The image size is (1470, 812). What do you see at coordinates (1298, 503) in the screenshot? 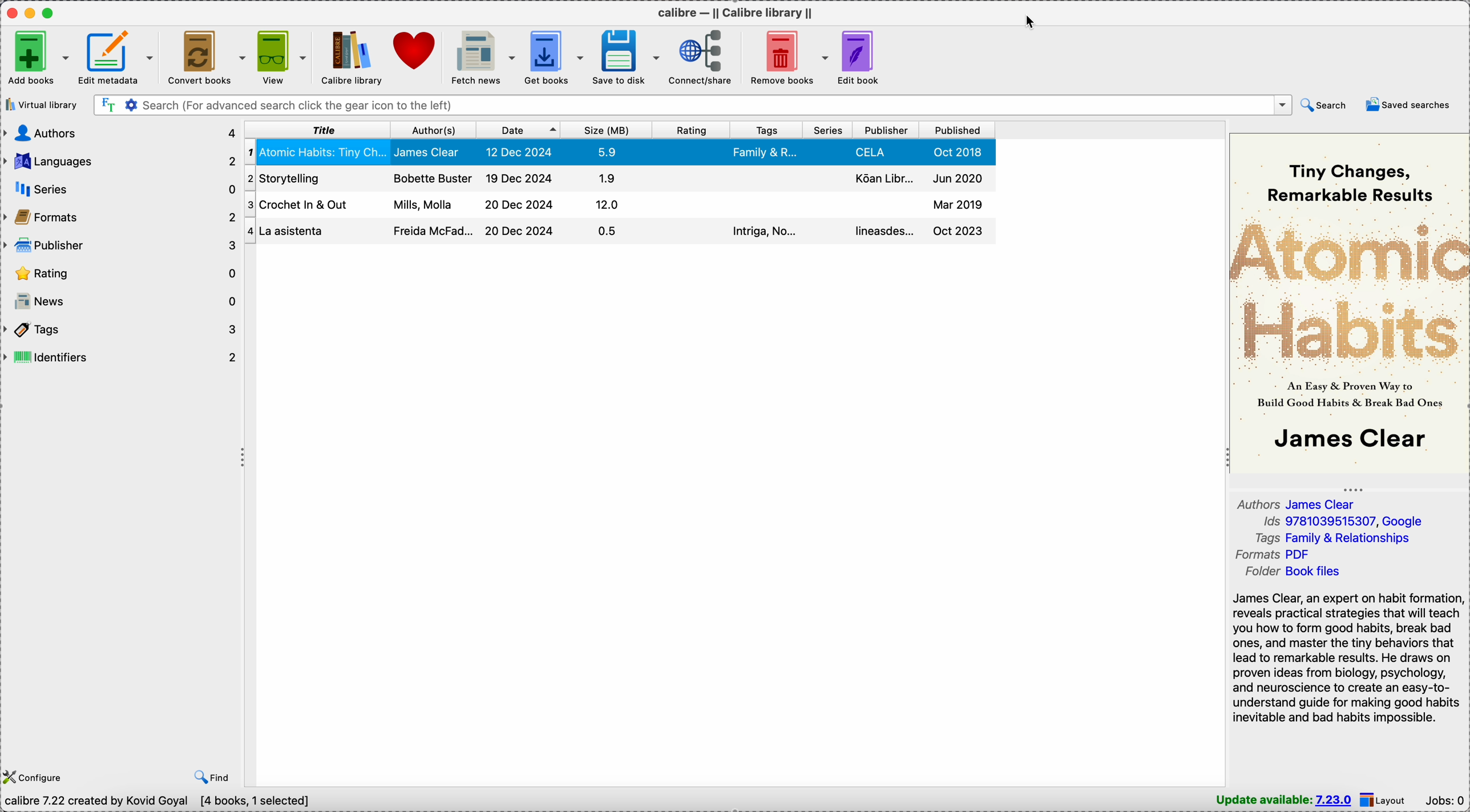
I see `authors James Clear` at bounding box center [1298, 503].